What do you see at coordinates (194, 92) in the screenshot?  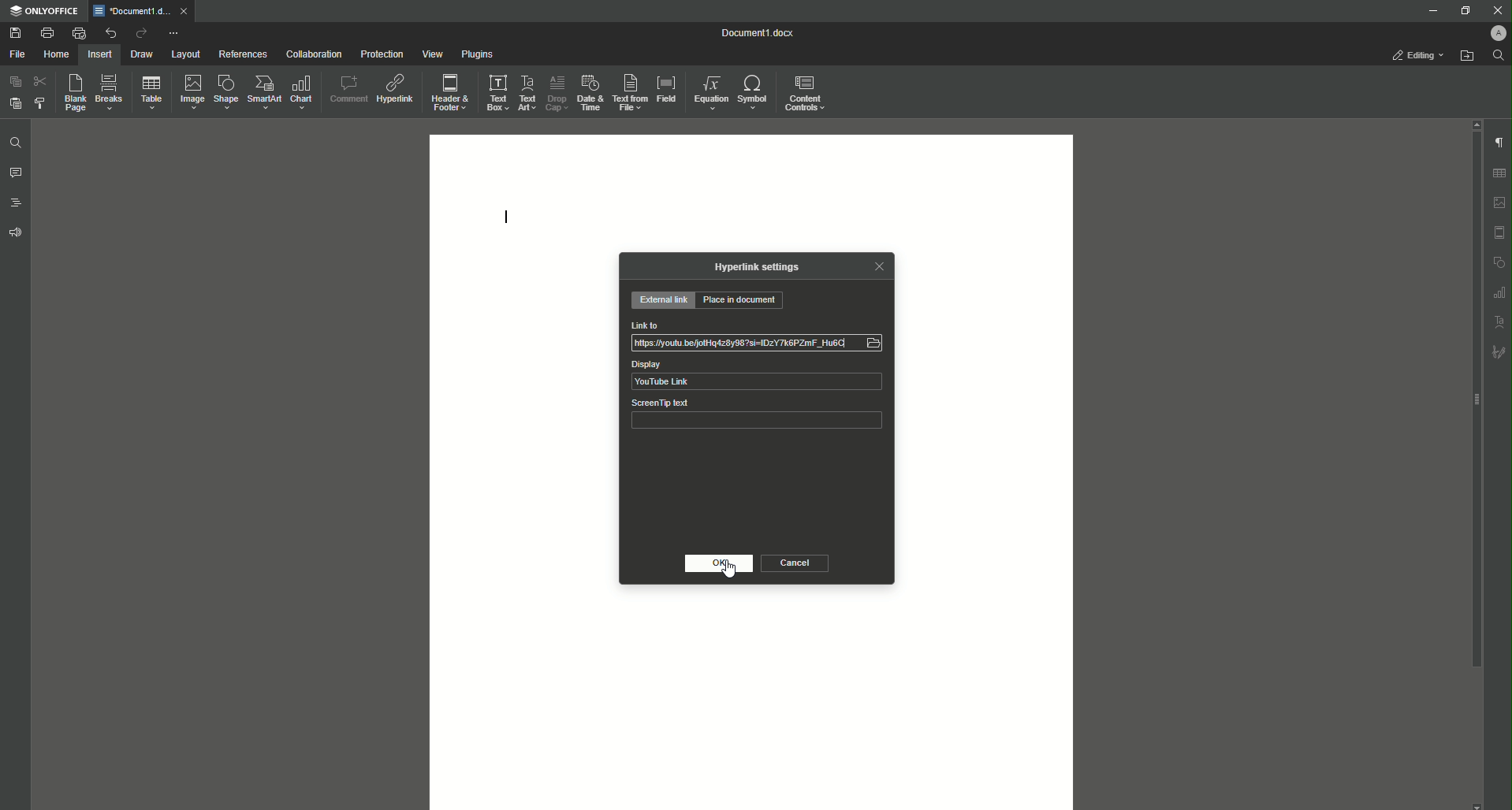 I see `Image` at bounding box center [194, 92].